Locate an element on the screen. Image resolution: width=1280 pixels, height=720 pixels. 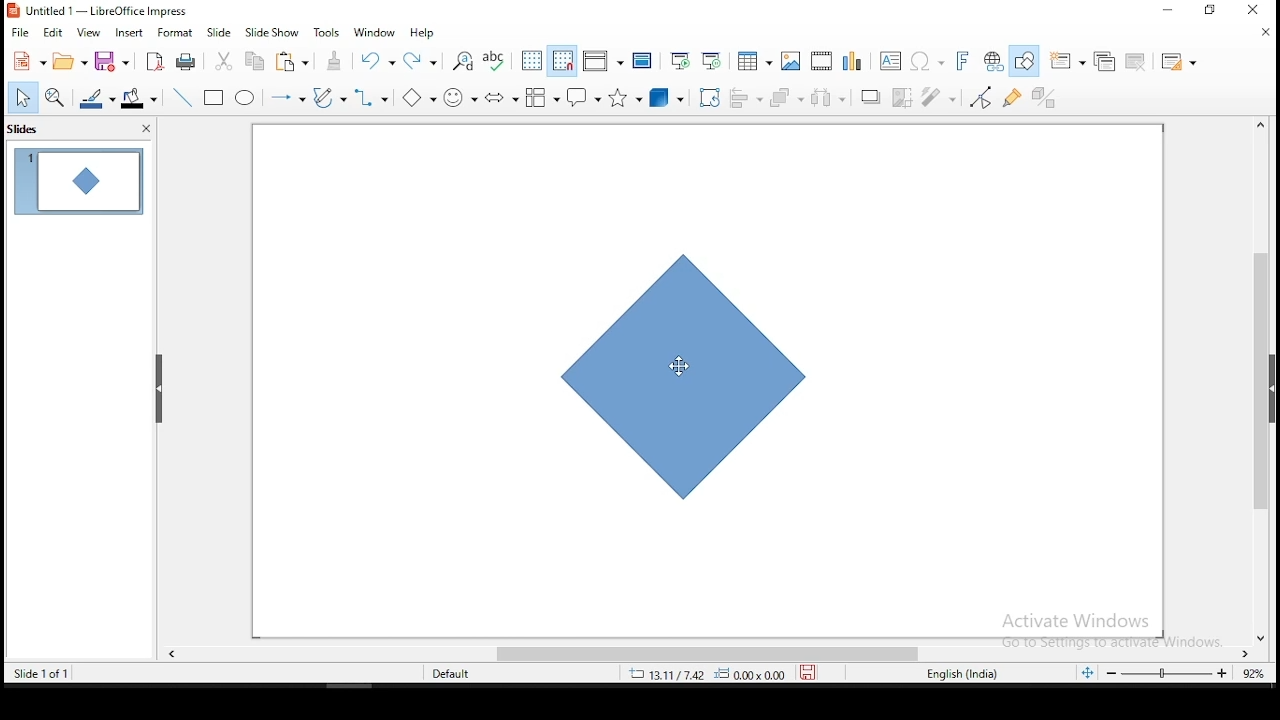
zoom and pan is located at coordinates (55, 100).